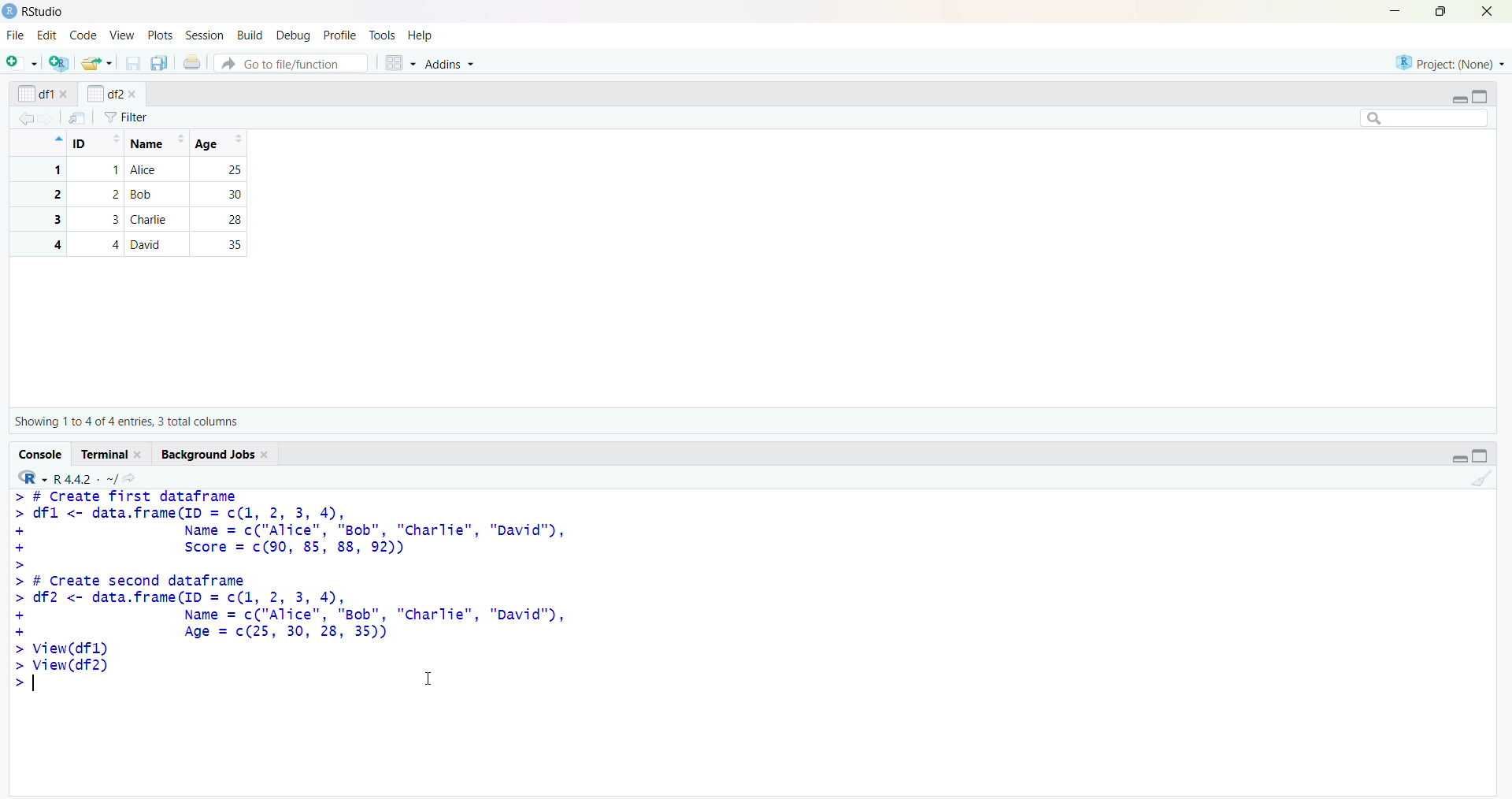  I want to click on cursor, so click(429, 678).